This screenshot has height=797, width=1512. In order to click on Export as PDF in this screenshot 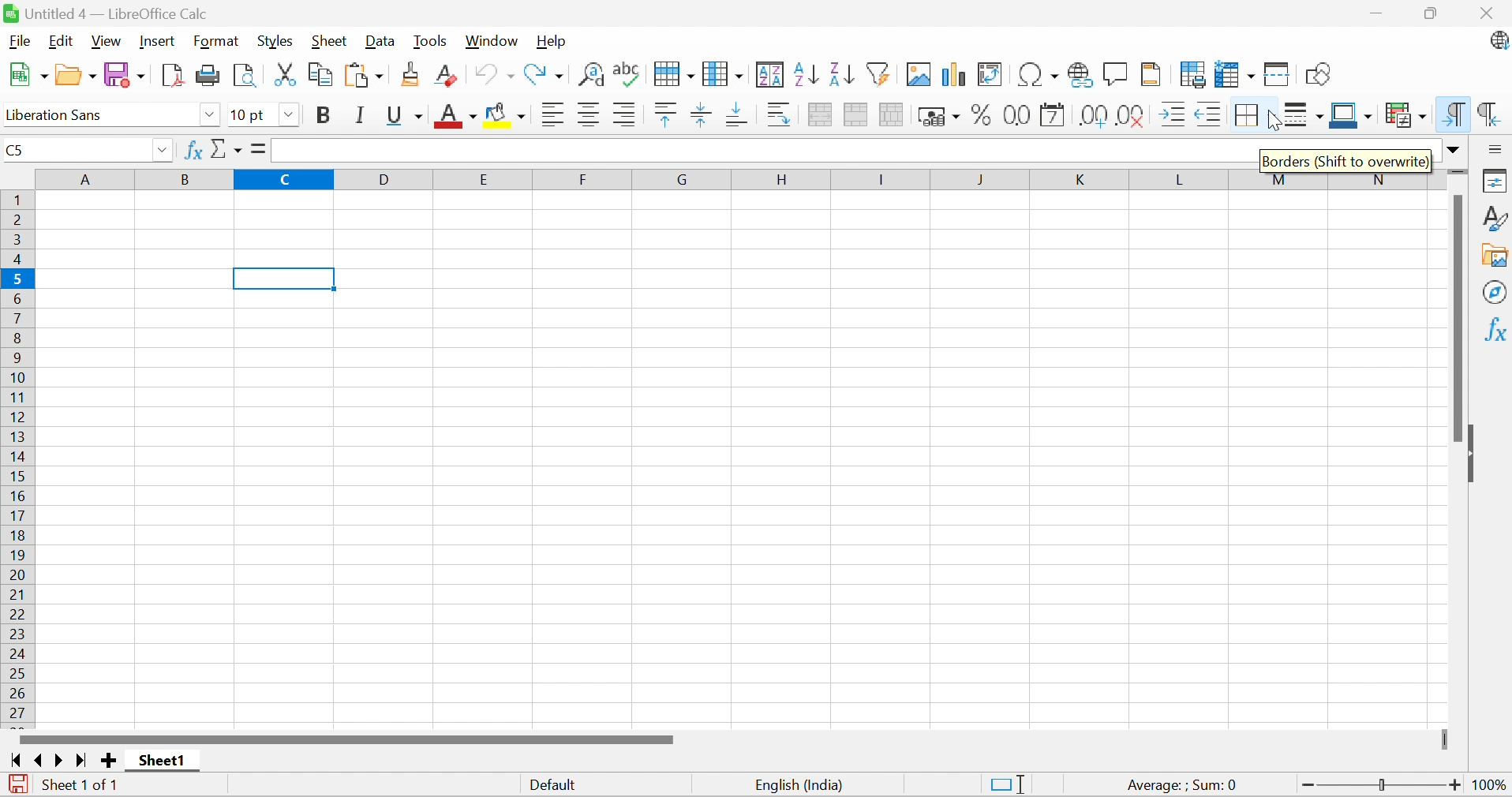, I will do `click(174, 75)`.